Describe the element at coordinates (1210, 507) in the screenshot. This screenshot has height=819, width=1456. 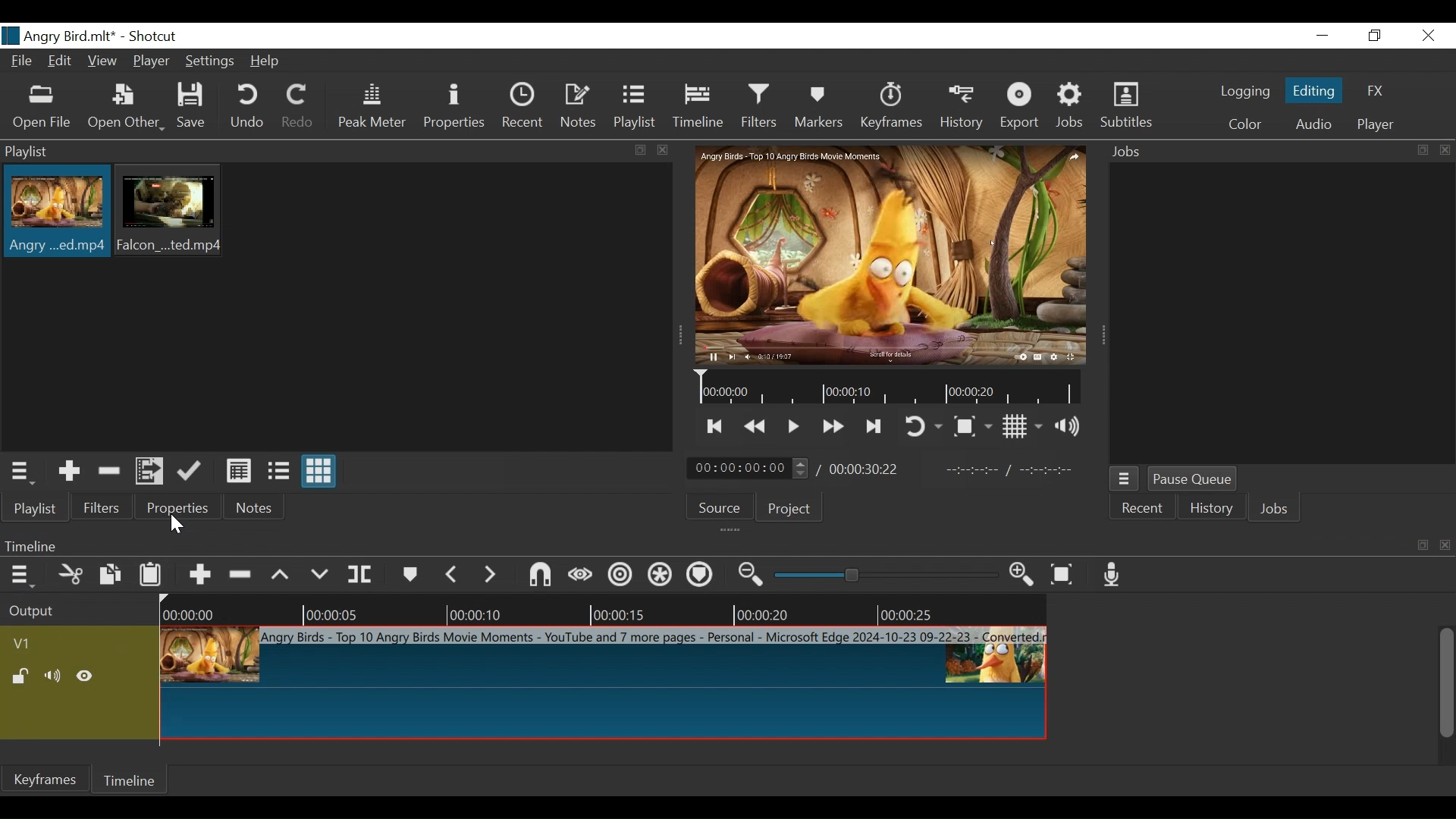
I see `History` at that location.